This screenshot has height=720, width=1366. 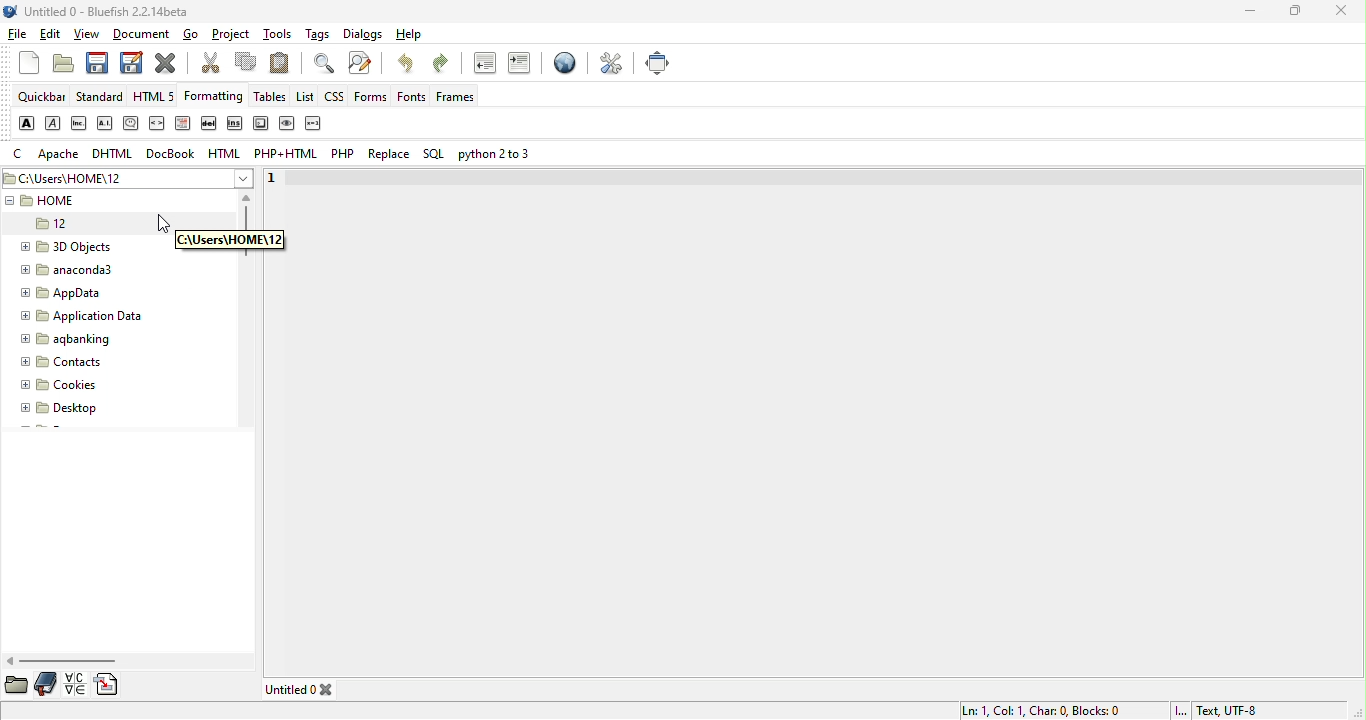 I want to click on redo, so click(x=447, y=67).